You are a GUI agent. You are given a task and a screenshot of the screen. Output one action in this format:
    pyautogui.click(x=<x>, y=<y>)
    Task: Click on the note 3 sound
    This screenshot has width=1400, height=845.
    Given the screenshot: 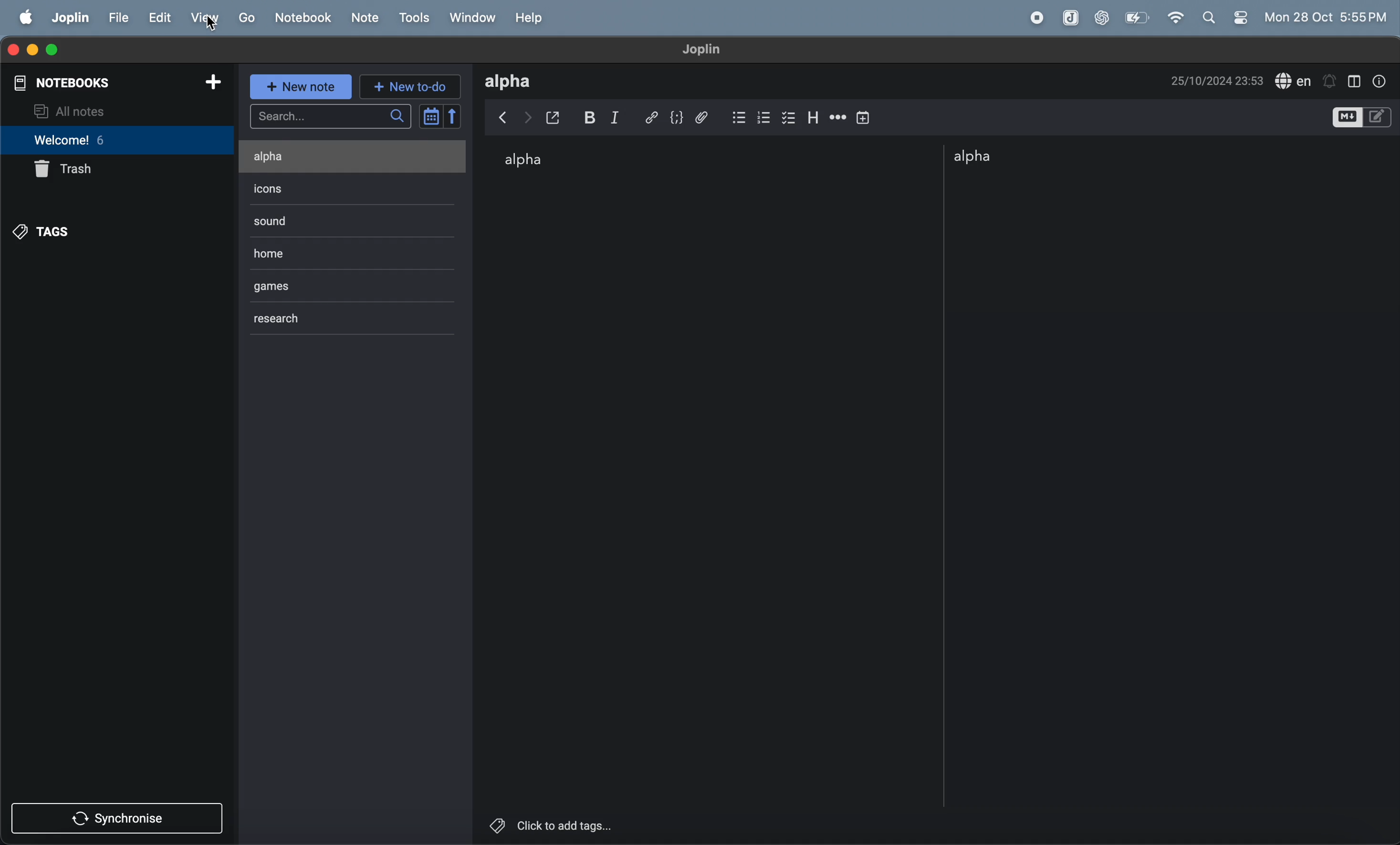 What is the action you would take?
    pyautogui.click(x=301, y=220)
    